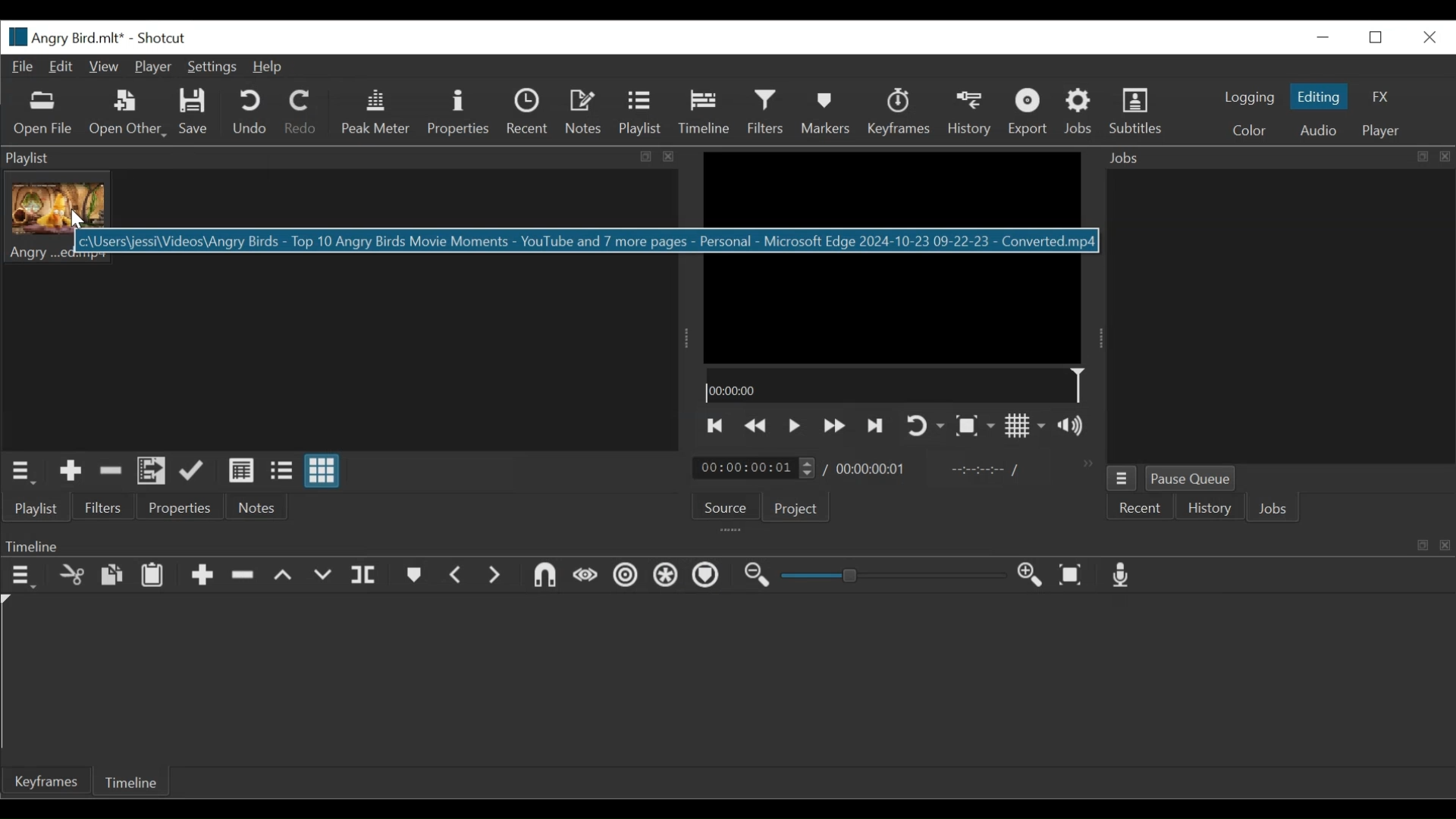 Image resolution: width=1456 pixels, height=819 pixels. What do you see at coordinates (1026, 427) in the screenshot?
I see `Toggle grid display on player` at bounding box center [1026, 427].